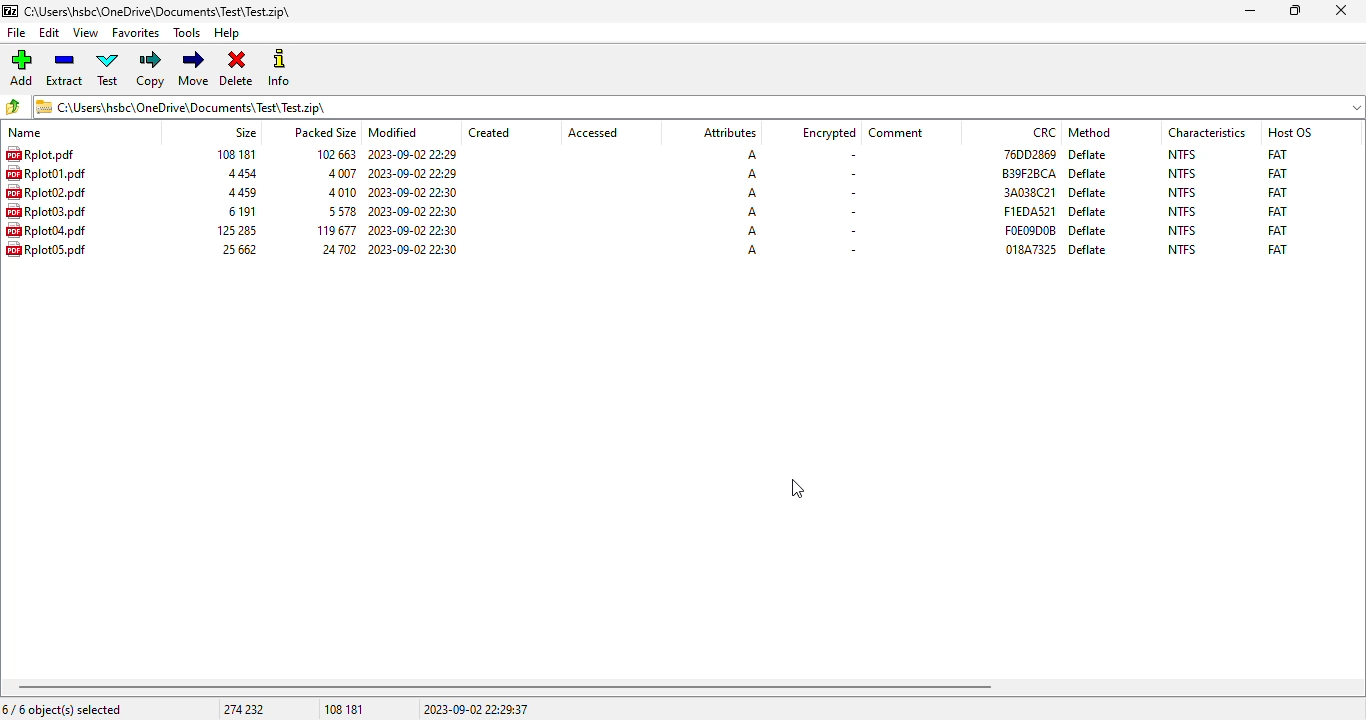 The height and width of the screenshot is (720, 1366). I want to click on NTFS, so click(1181, 249).